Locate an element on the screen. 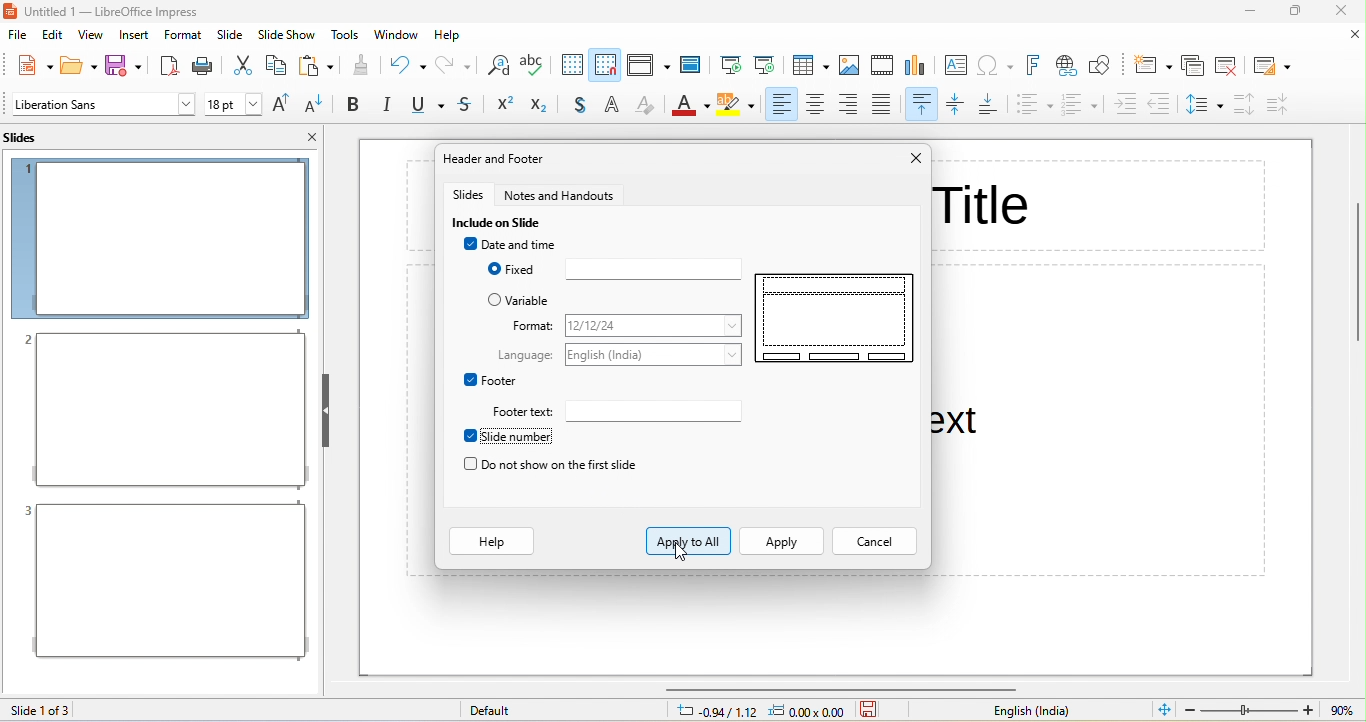  font color is located at coordinates (689, 108).